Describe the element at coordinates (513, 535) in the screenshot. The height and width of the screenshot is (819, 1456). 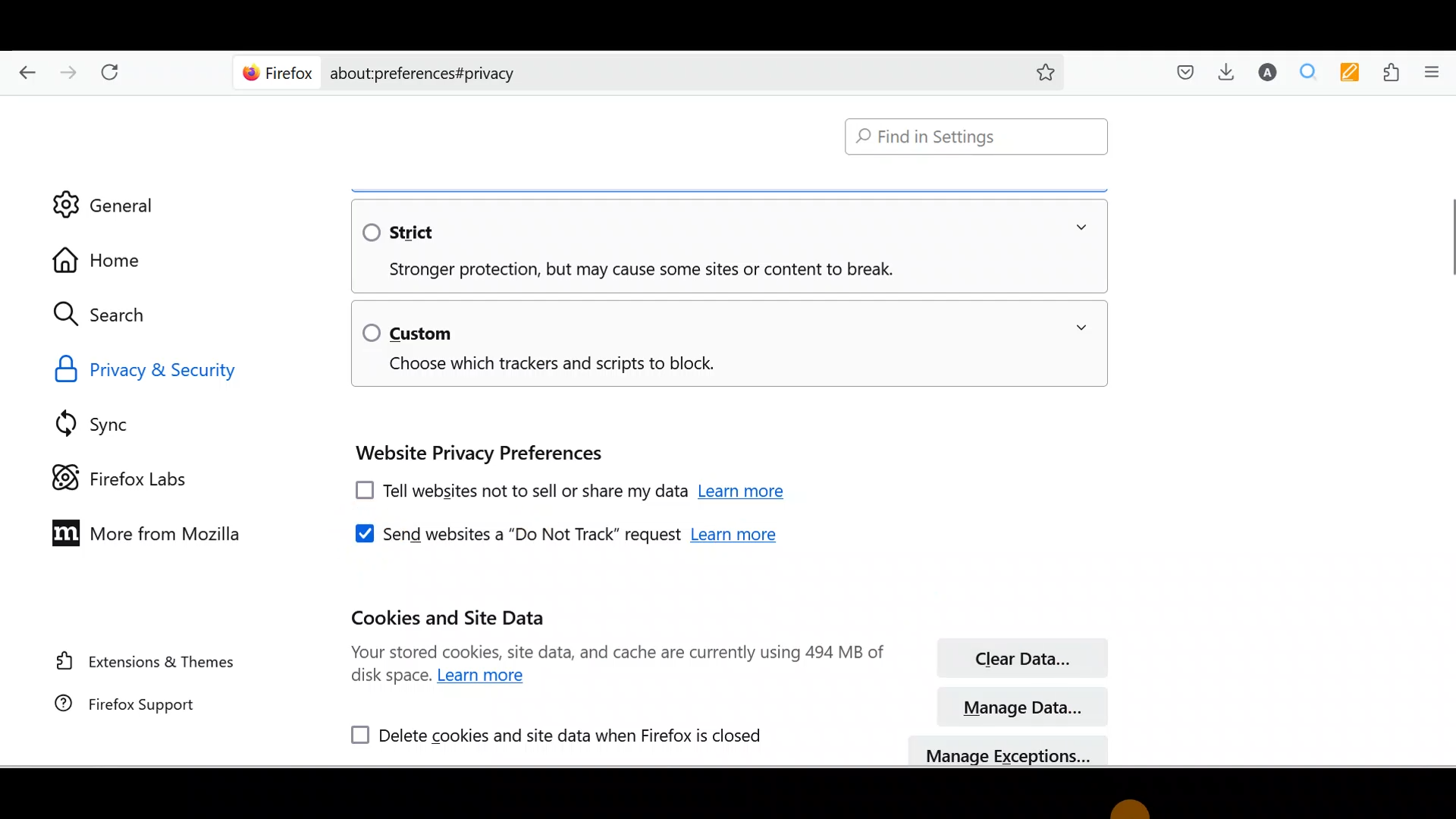
I see `Send websites a "Do Not Track" request.` at that location.